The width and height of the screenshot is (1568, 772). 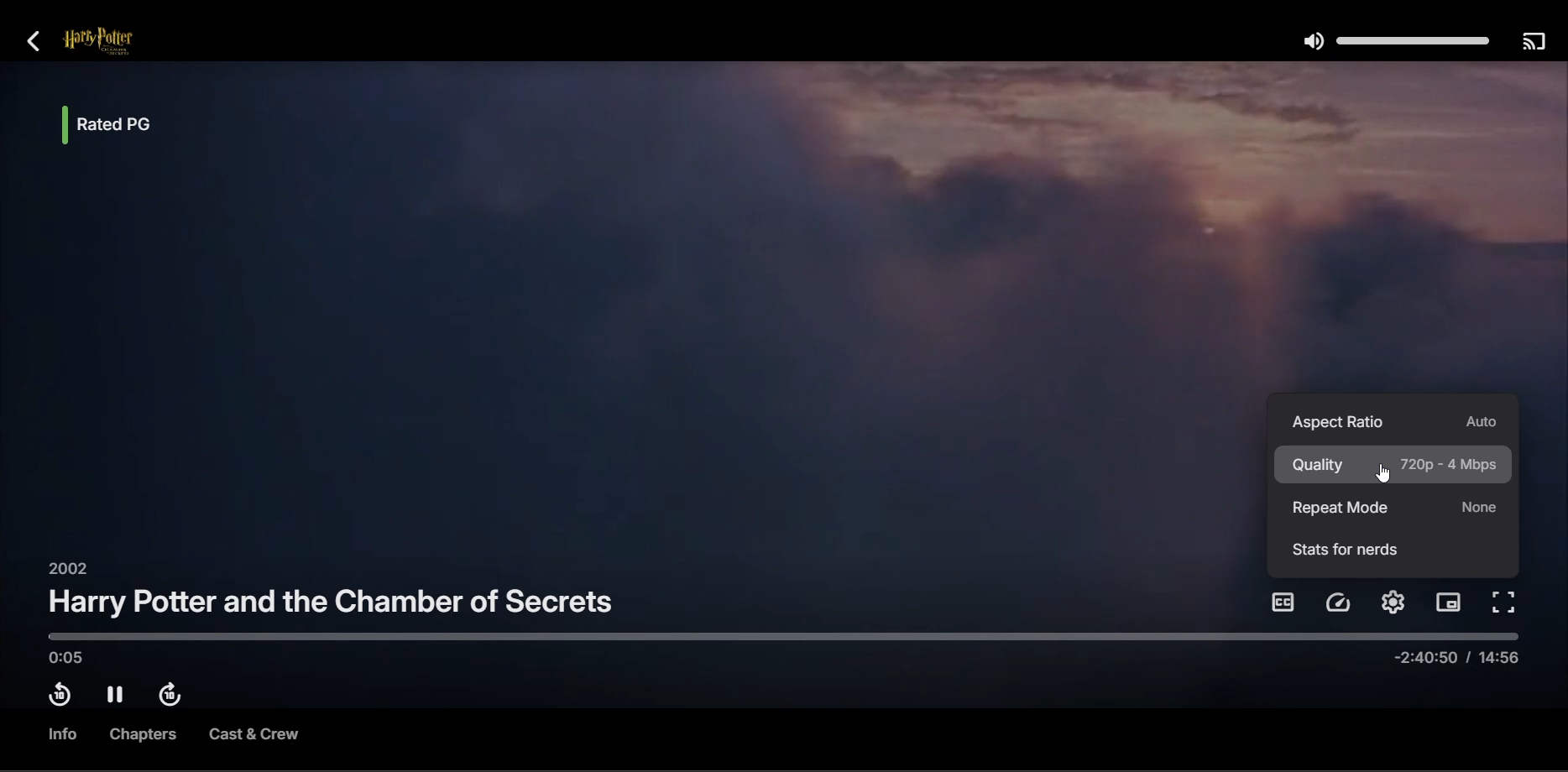 I want to click on Back, so click(x=42, y=43).